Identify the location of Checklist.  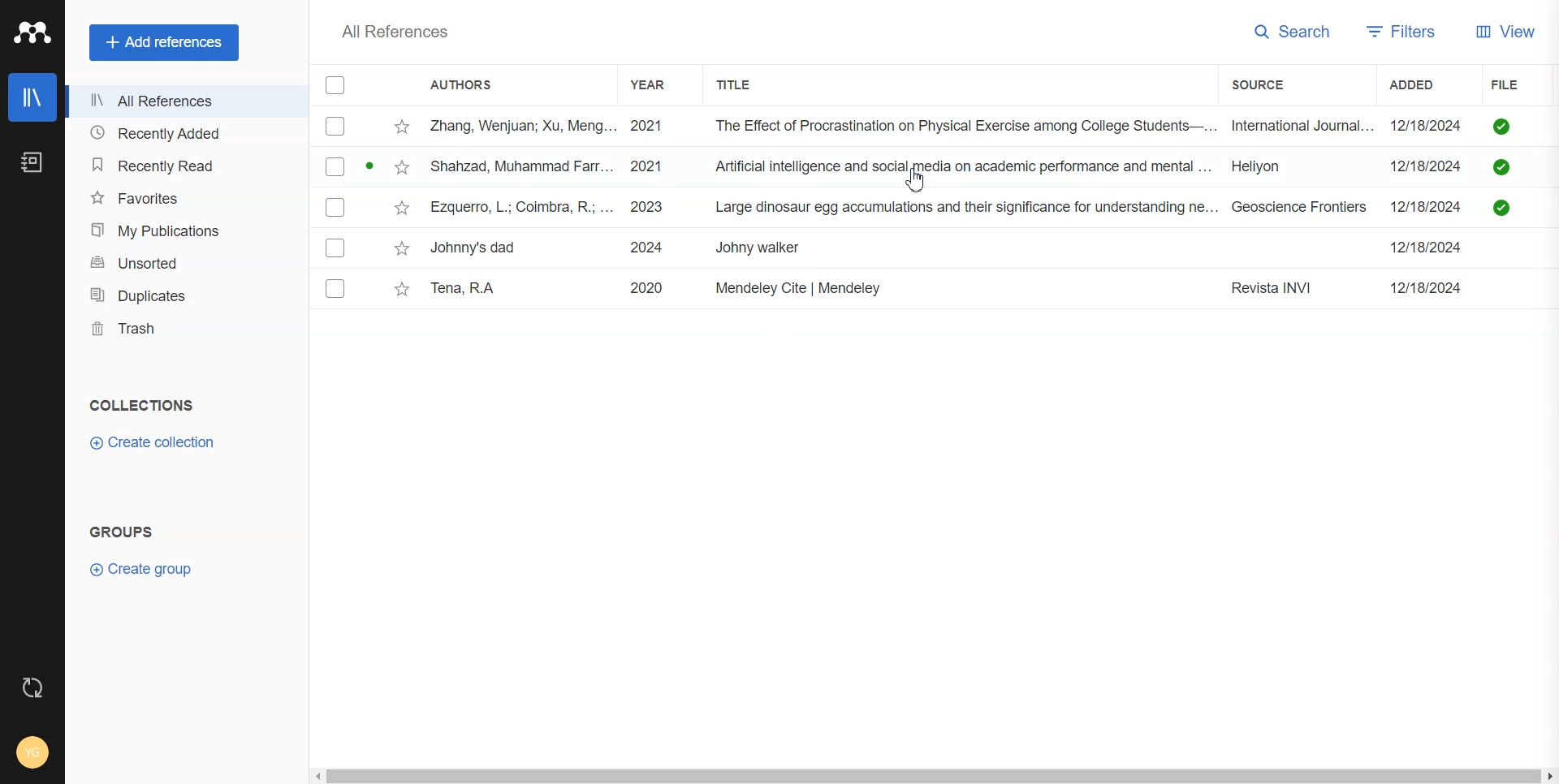
(335, 84).